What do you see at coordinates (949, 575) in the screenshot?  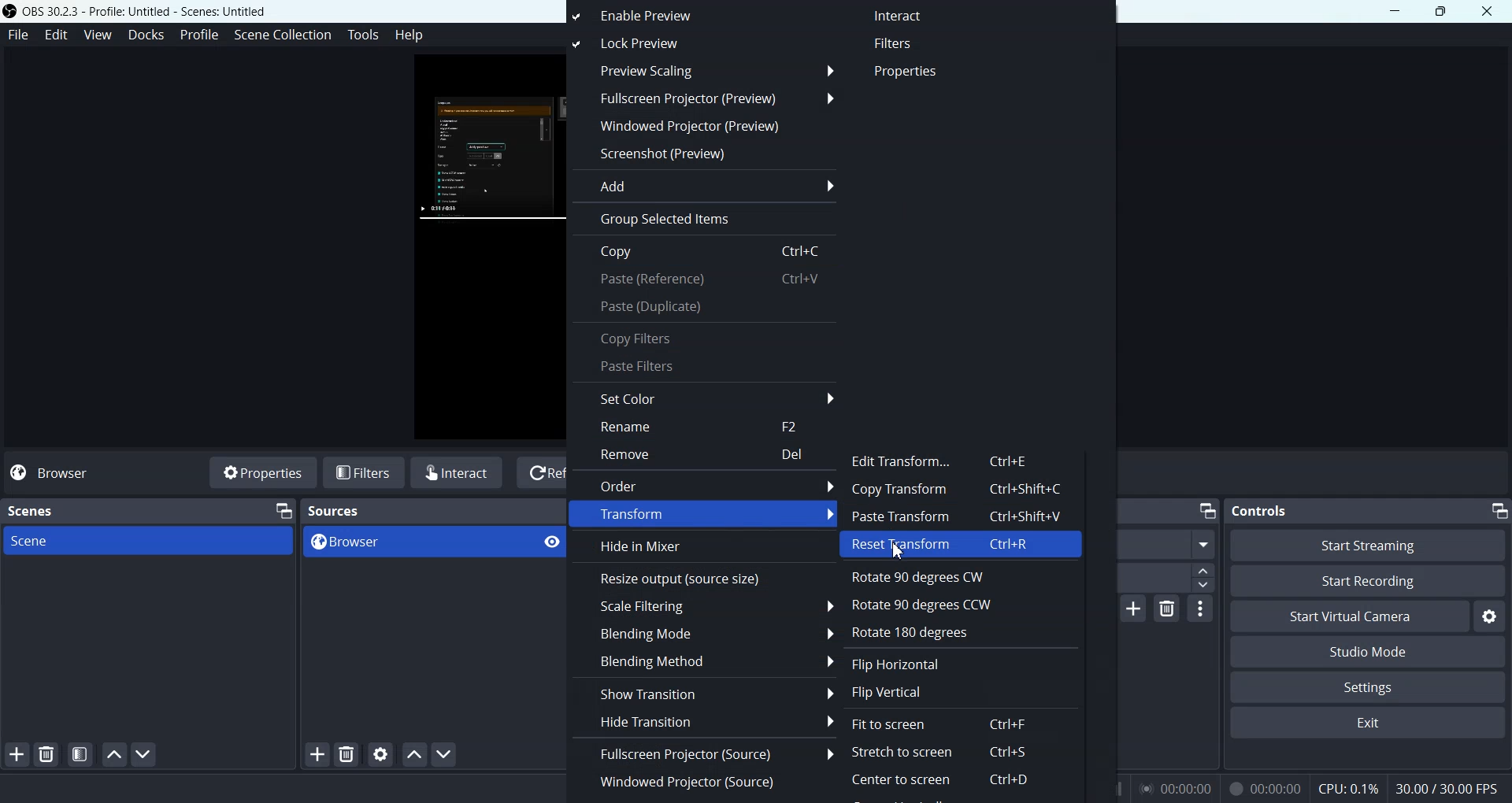 I see `Rotate 90 Degree CW` at bounding box center [949, 575].